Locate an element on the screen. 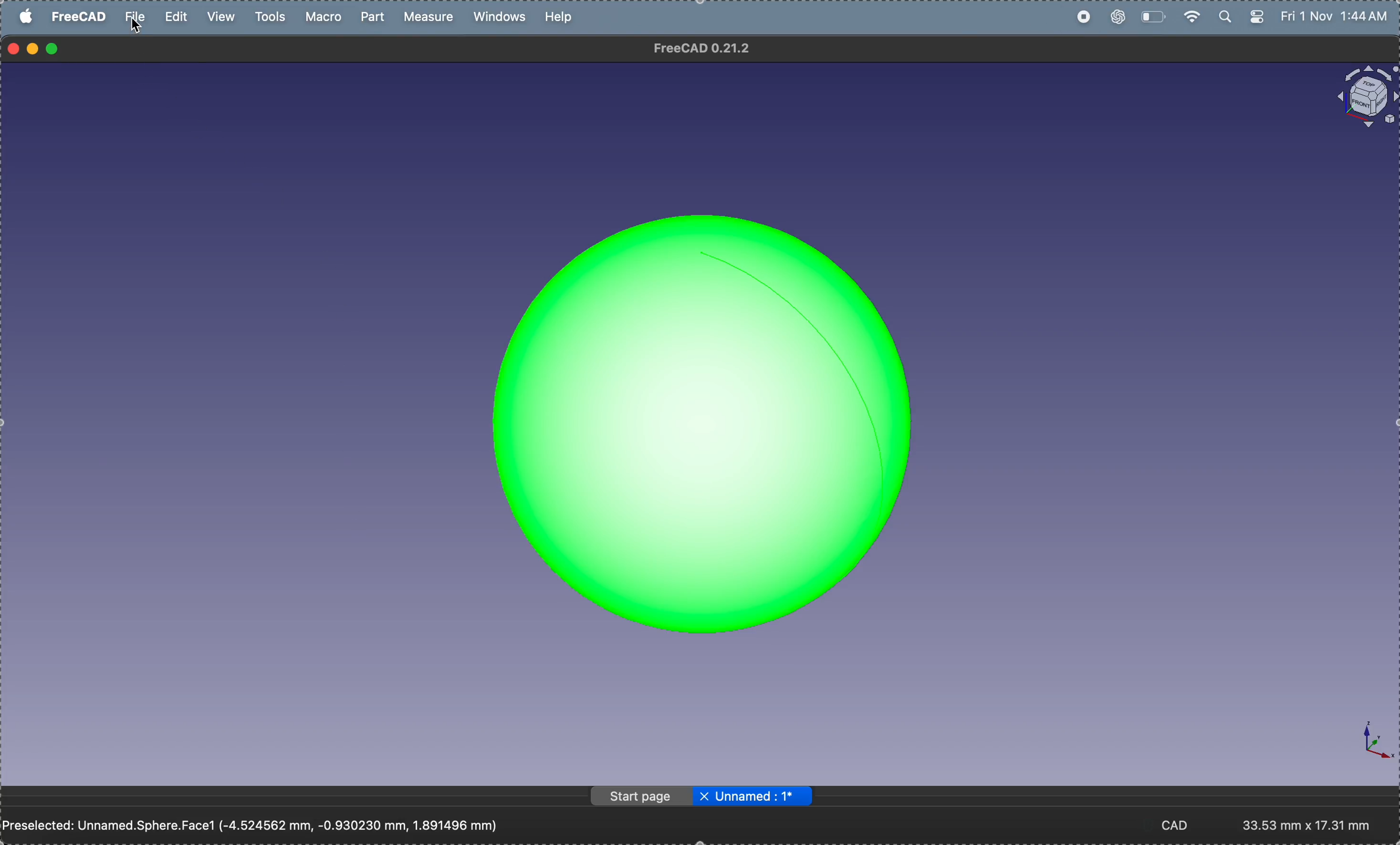 Image resolution: width=1400 pixels, height=845 pixels. closing window is located at coordinates (14, 47).